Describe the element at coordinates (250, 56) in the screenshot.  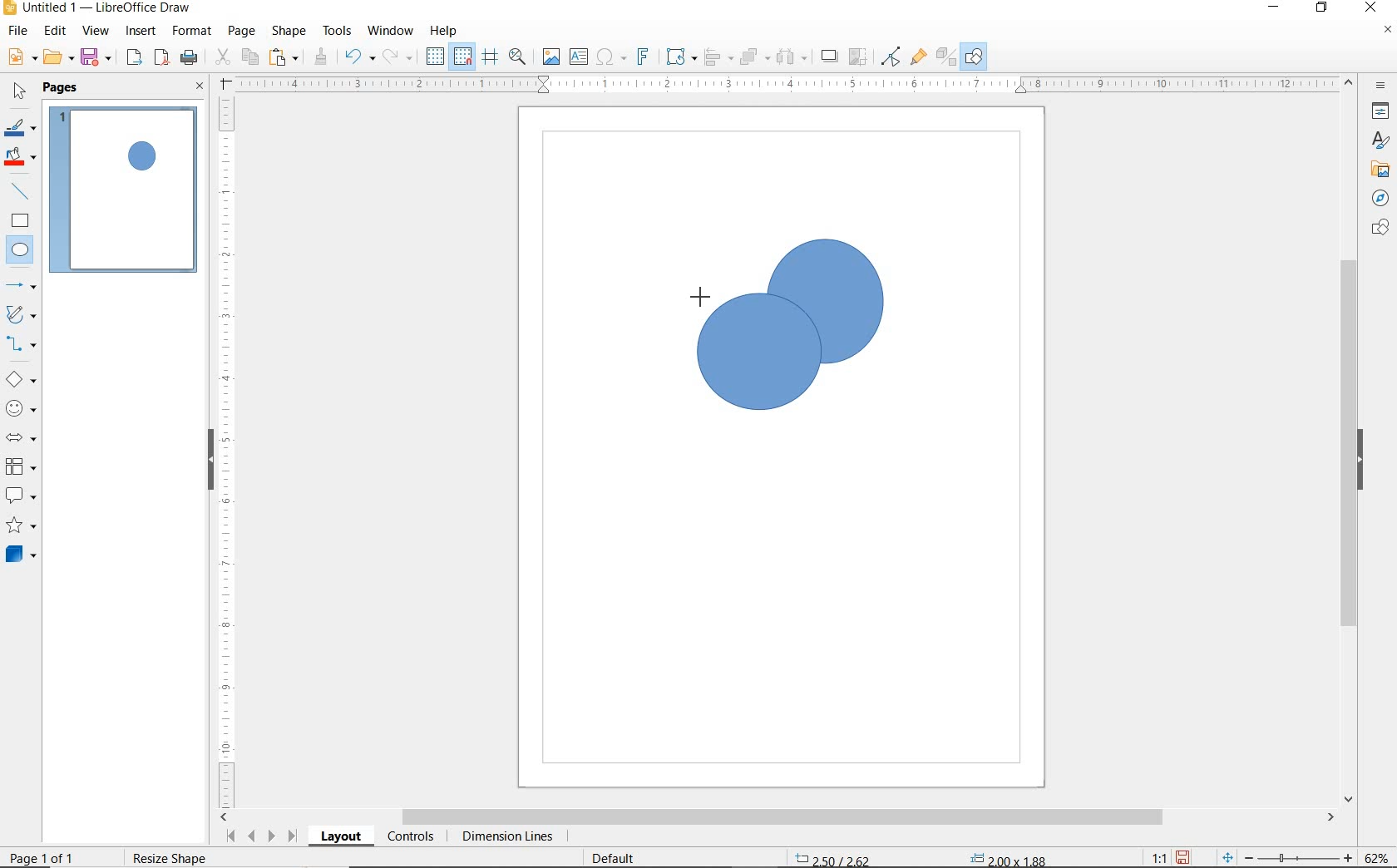
I see `COPY` at that location.